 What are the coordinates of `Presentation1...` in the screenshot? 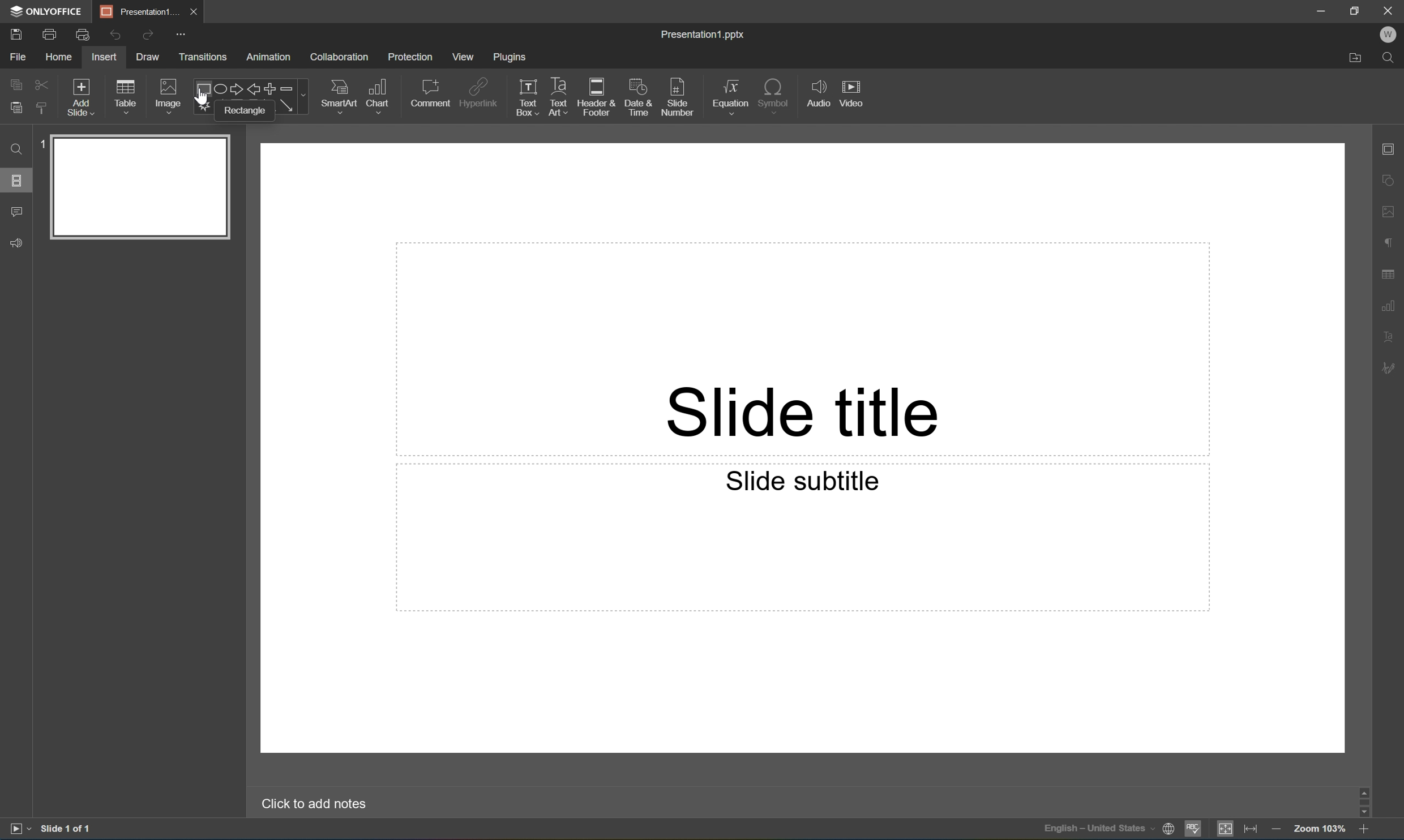 It's located at (135, 11).